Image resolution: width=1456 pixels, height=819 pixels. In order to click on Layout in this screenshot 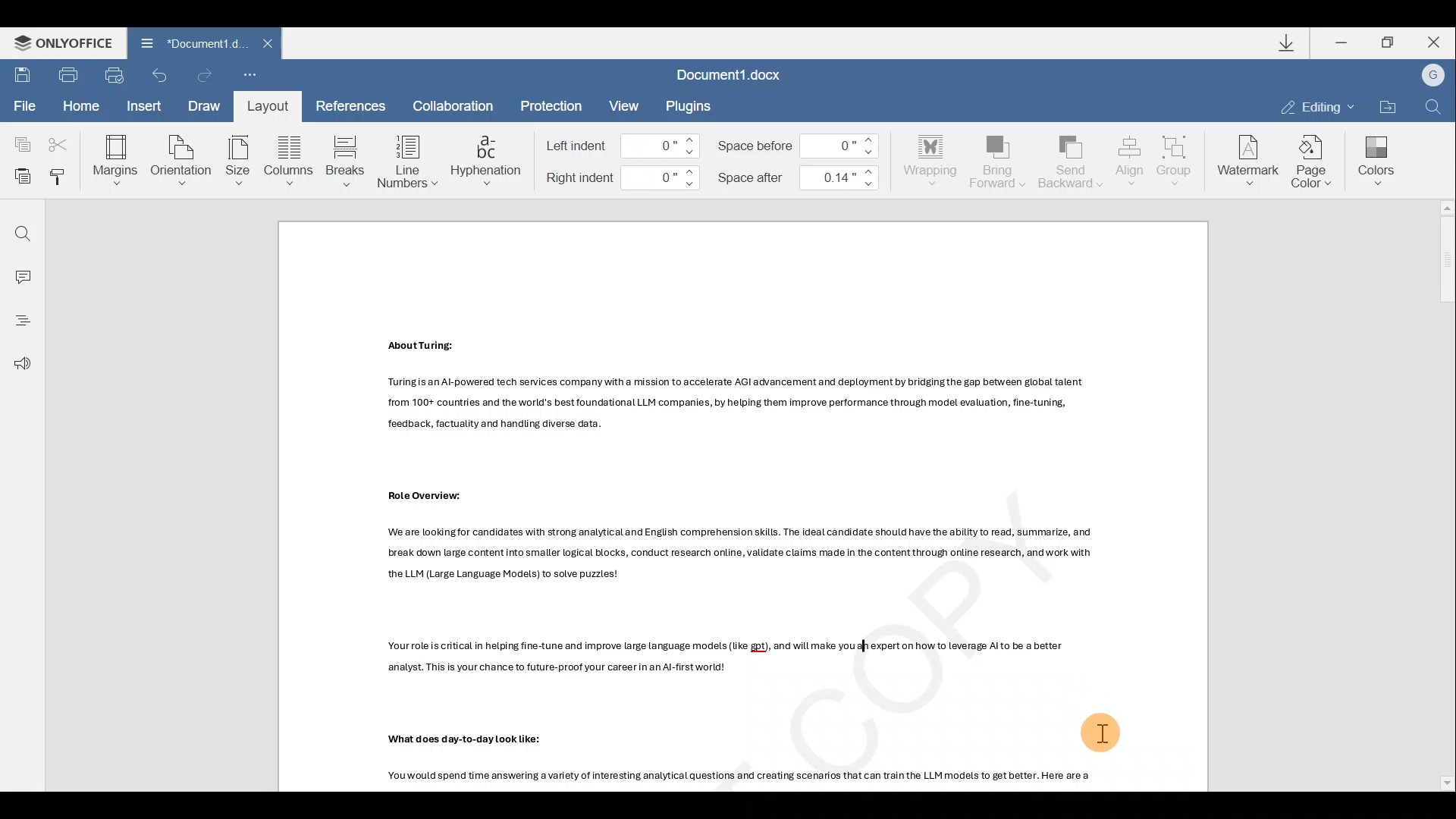, I will do `click(272, 107)`.